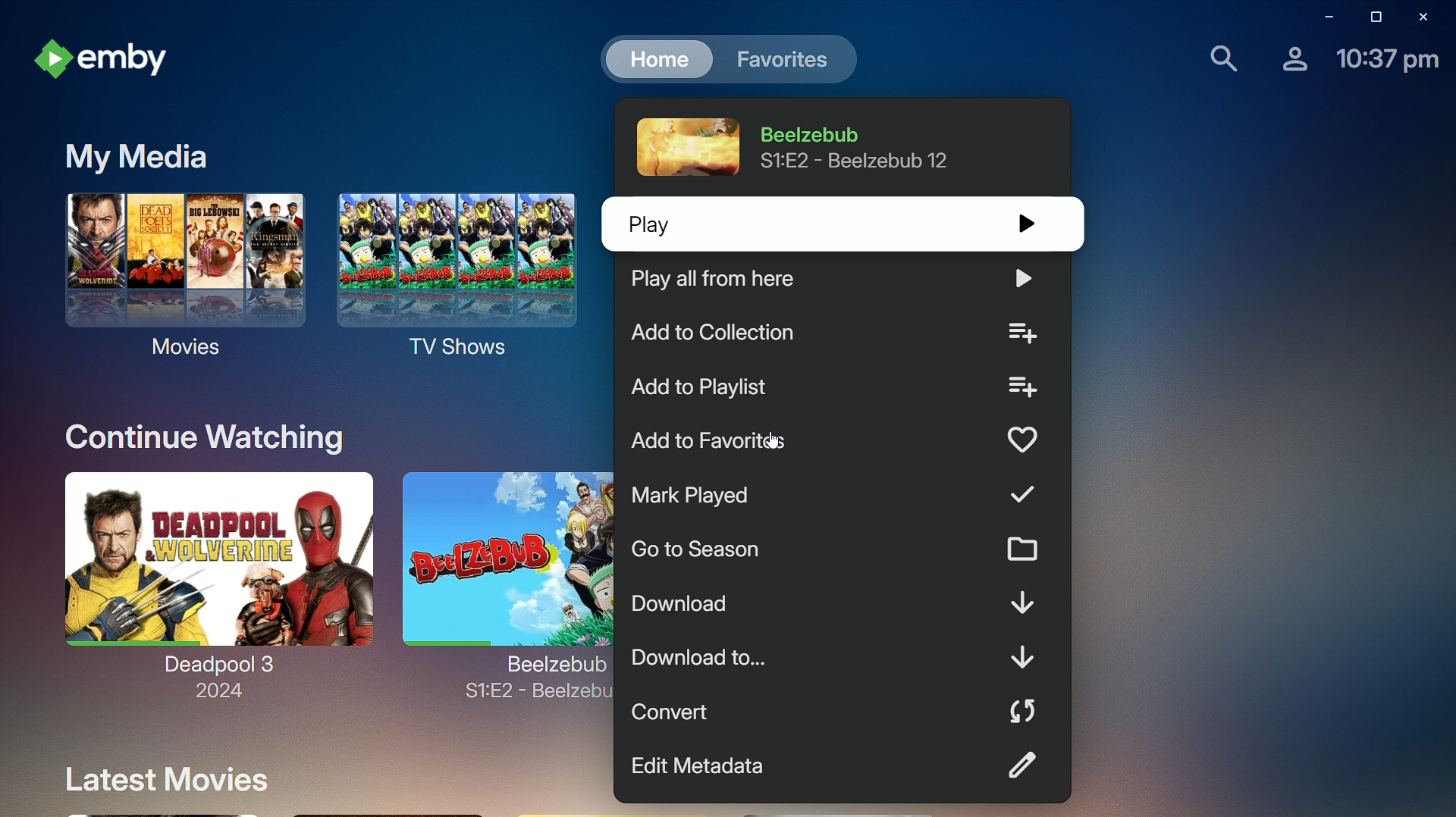 The height and width of the screenshot is (817, 1456). I want to click on My Media, so click(136, 159).